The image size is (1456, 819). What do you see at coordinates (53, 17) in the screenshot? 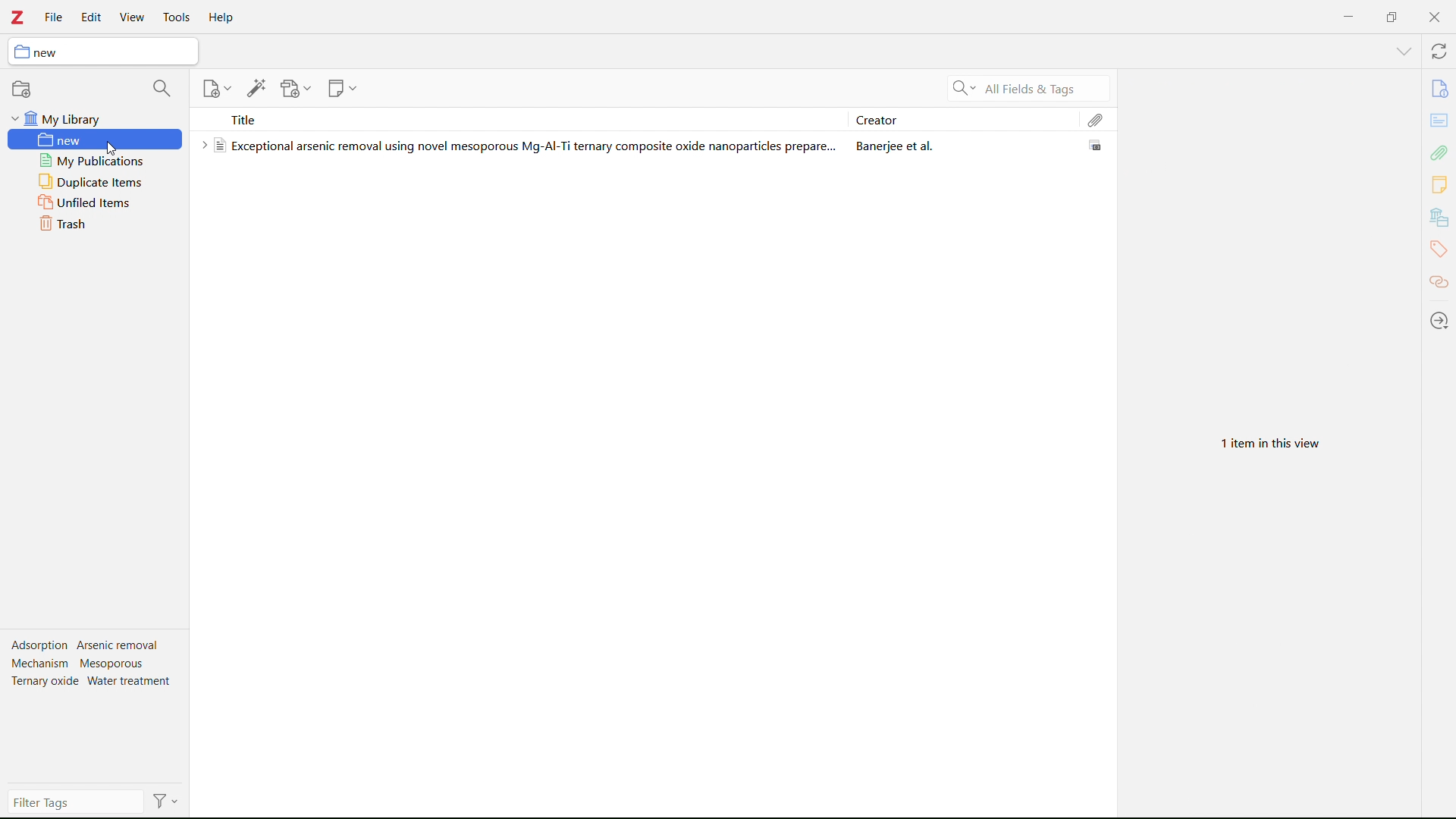
I see `file` at bounding box center [53, 17].